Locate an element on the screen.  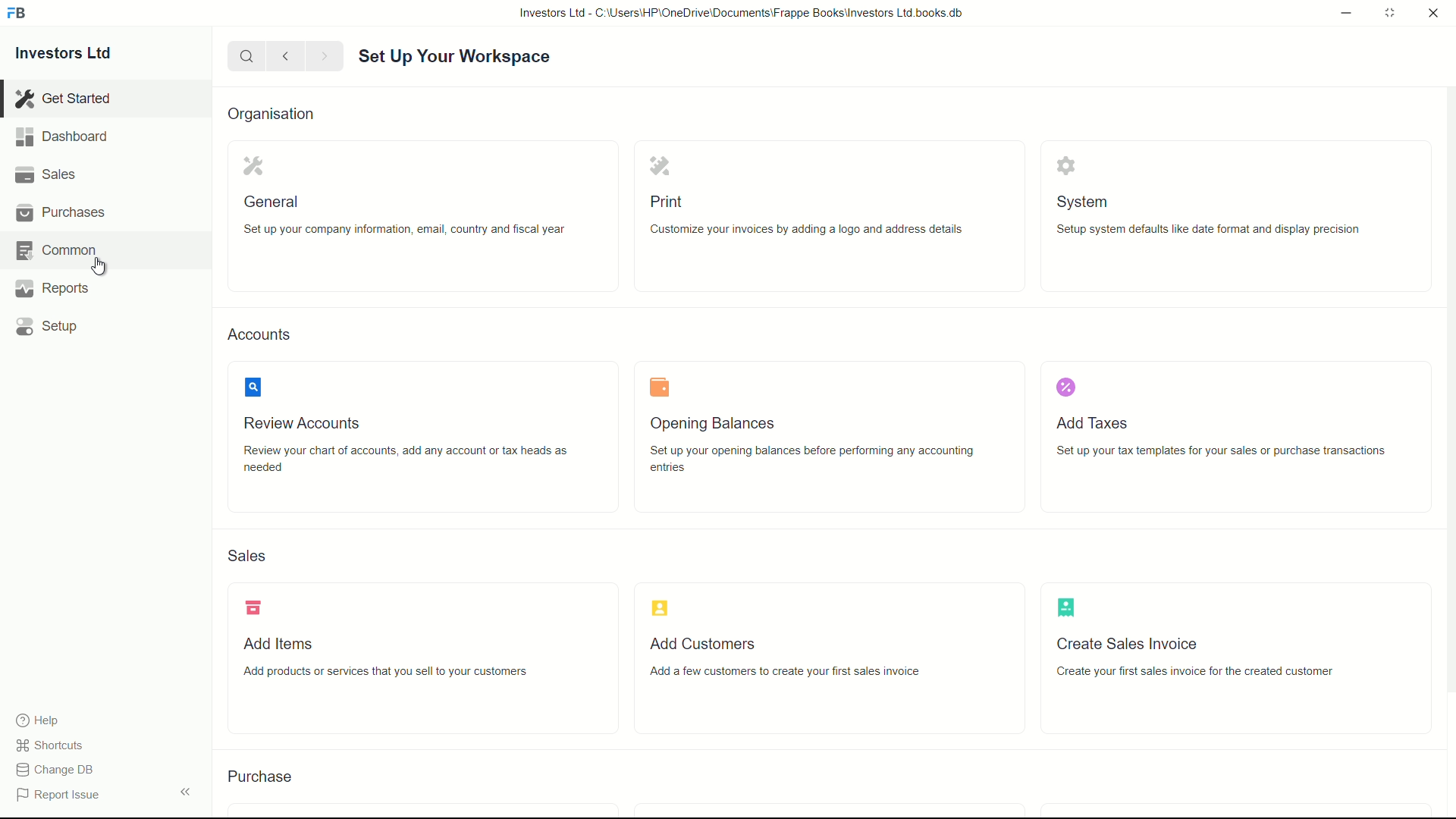
Set up your opening balances before performing any accounting
entries is located at coordinates (818, 460).